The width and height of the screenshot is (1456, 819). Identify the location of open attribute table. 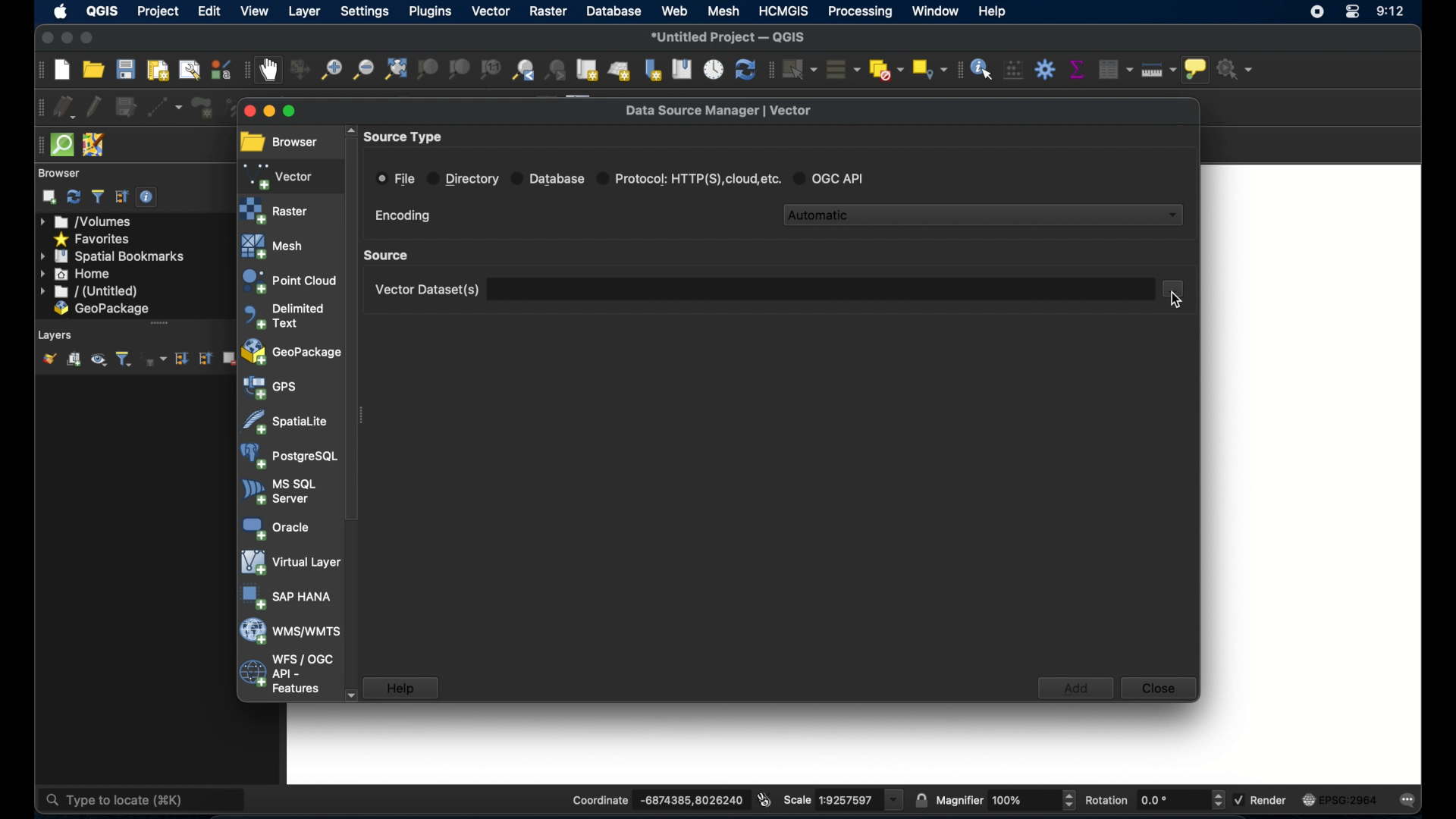
(1117, 69).